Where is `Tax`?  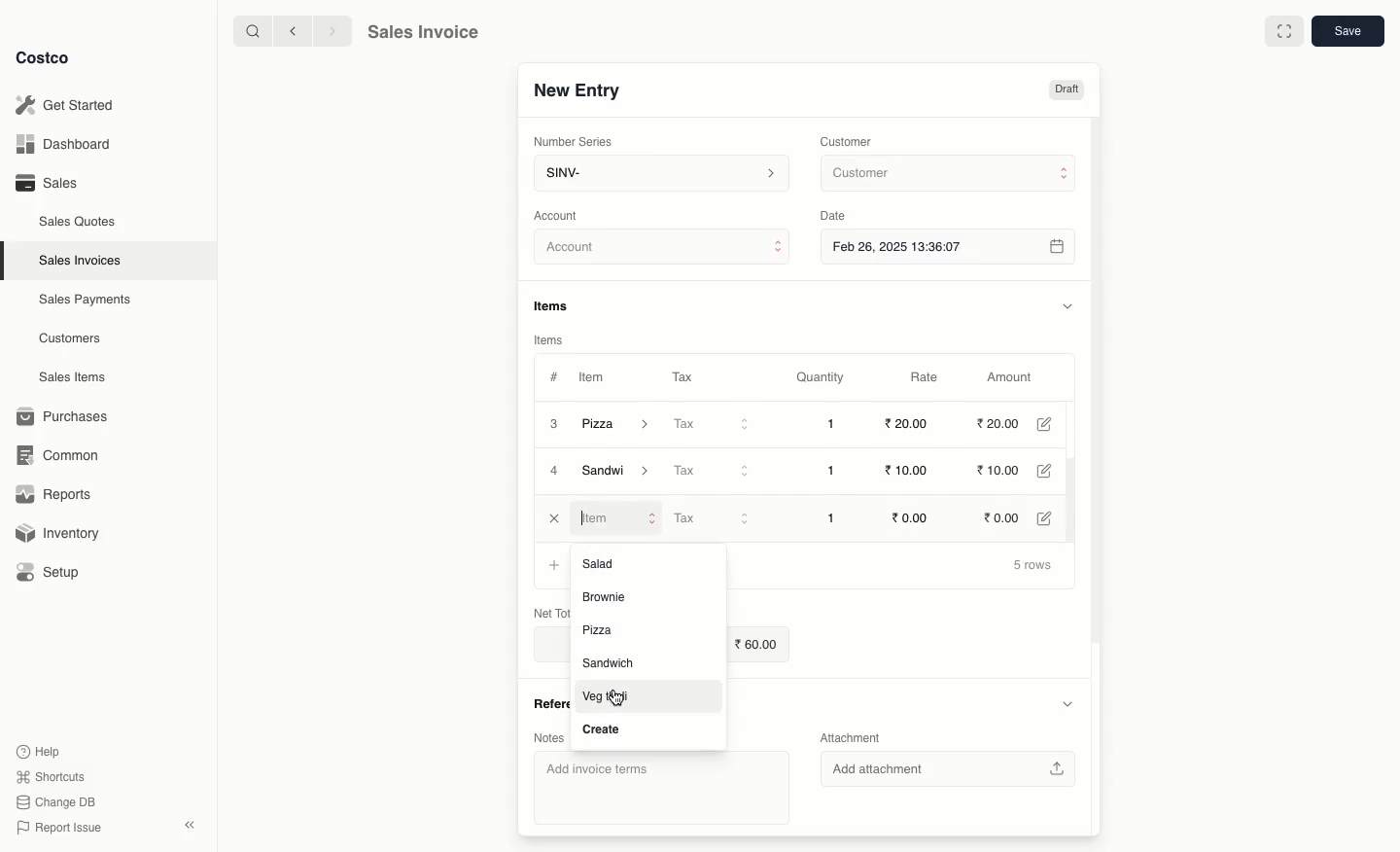
Tax is located at coordinates (716, 518).